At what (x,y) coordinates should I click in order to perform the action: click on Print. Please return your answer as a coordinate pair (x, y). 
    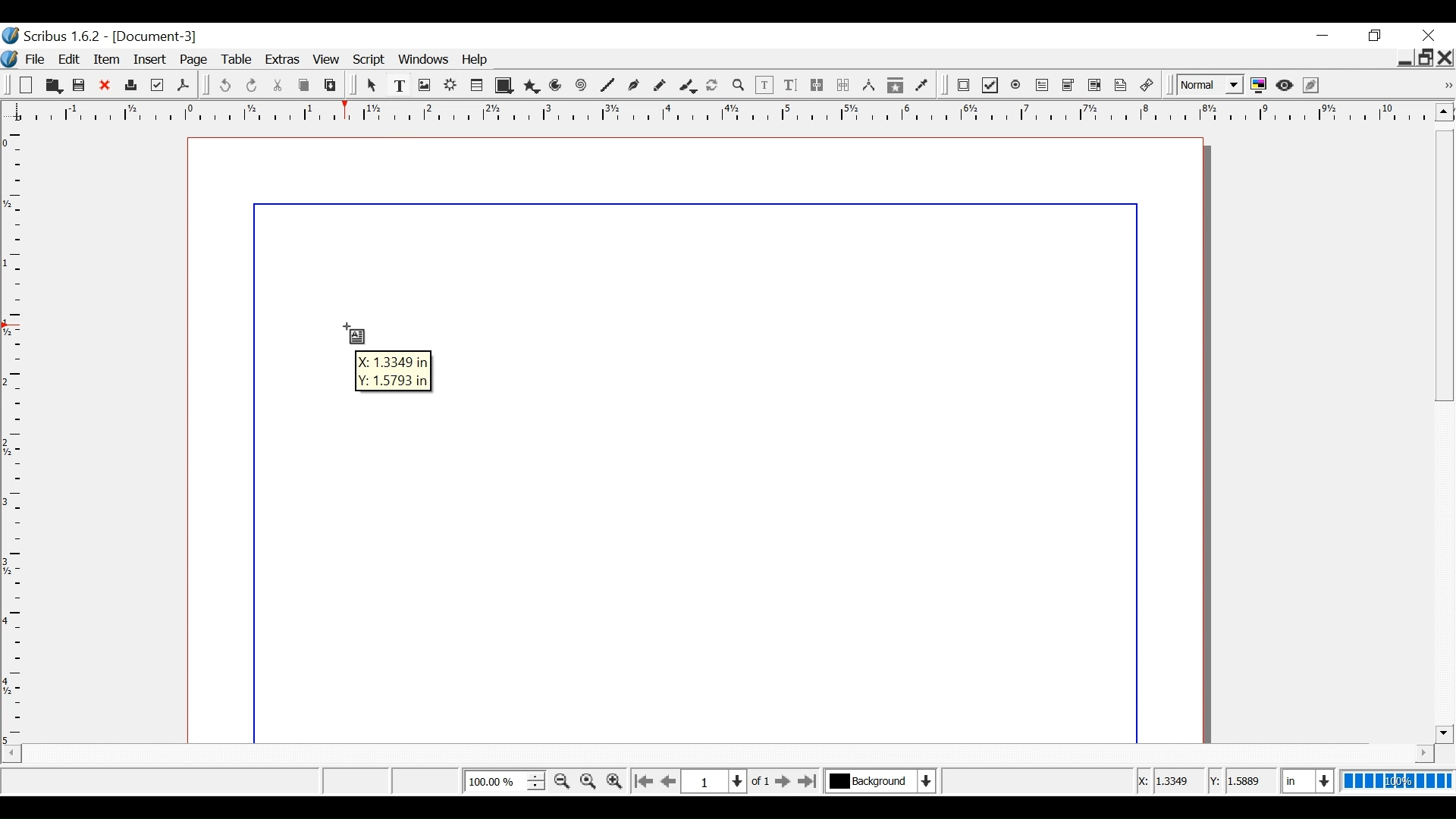
    Looking at the image, I should click on (130, 83).